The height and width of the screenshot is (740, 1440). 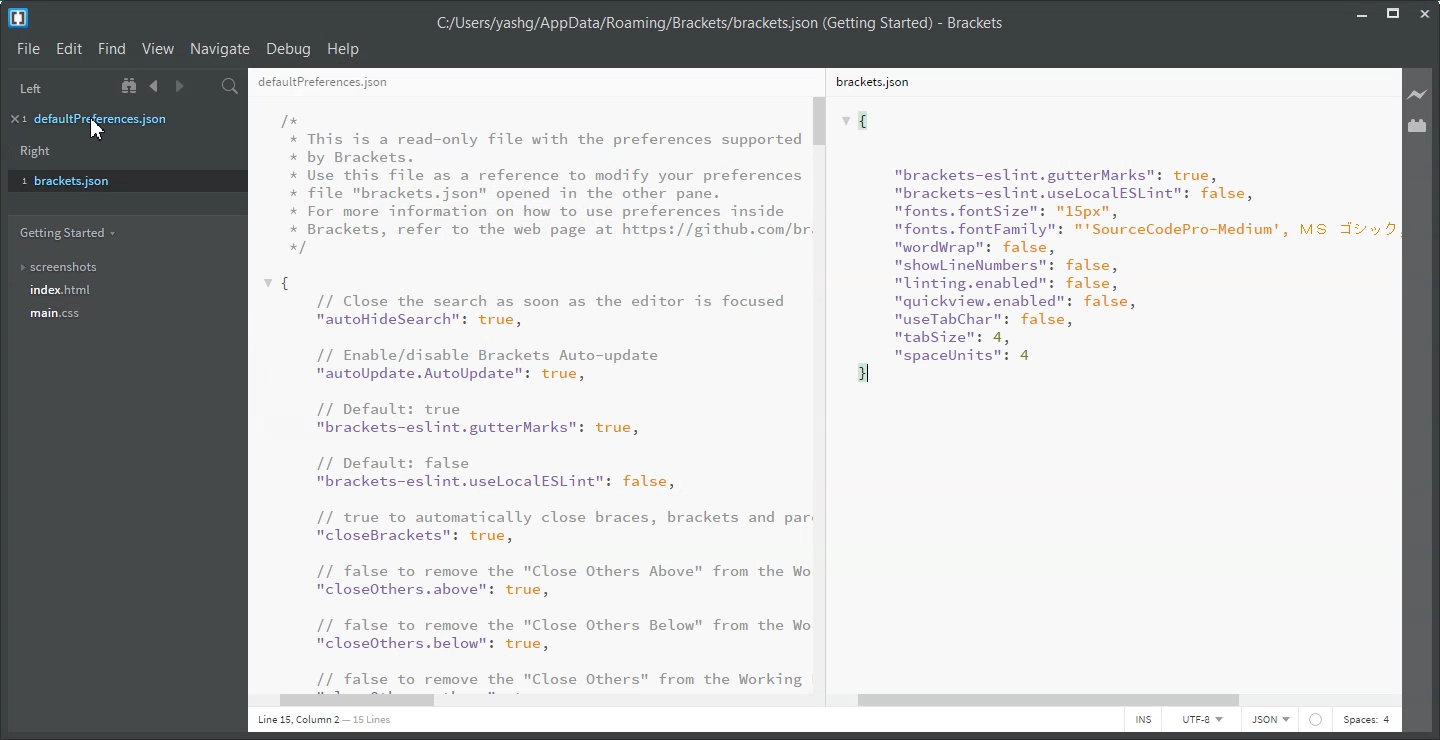 What do you see at coordinates (18, 18) in the screenshot?
I see `Logo` at bounding box center [18, 18].